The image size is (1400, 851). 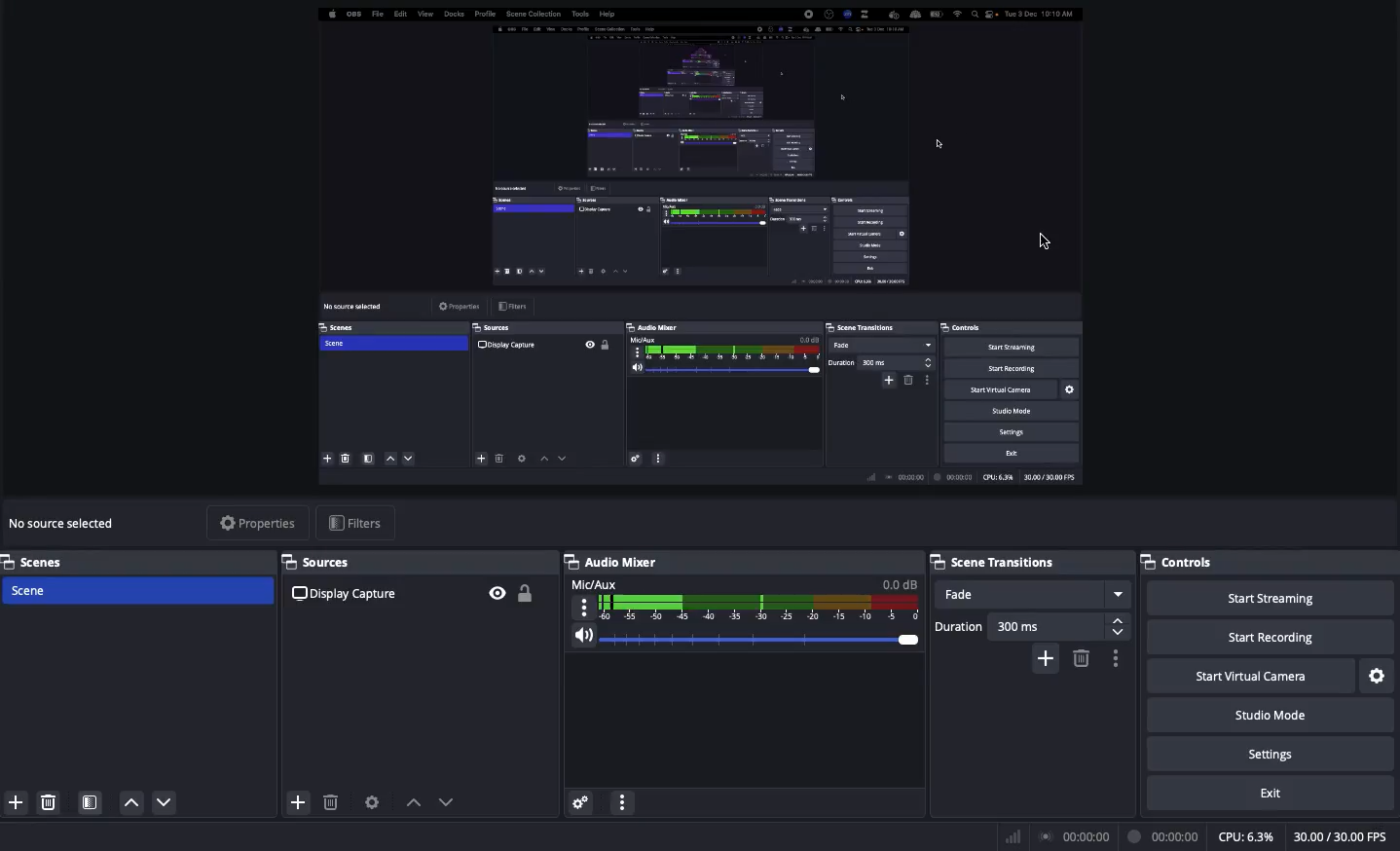 I want to click on Scene filter, so click(x=91, y=804).